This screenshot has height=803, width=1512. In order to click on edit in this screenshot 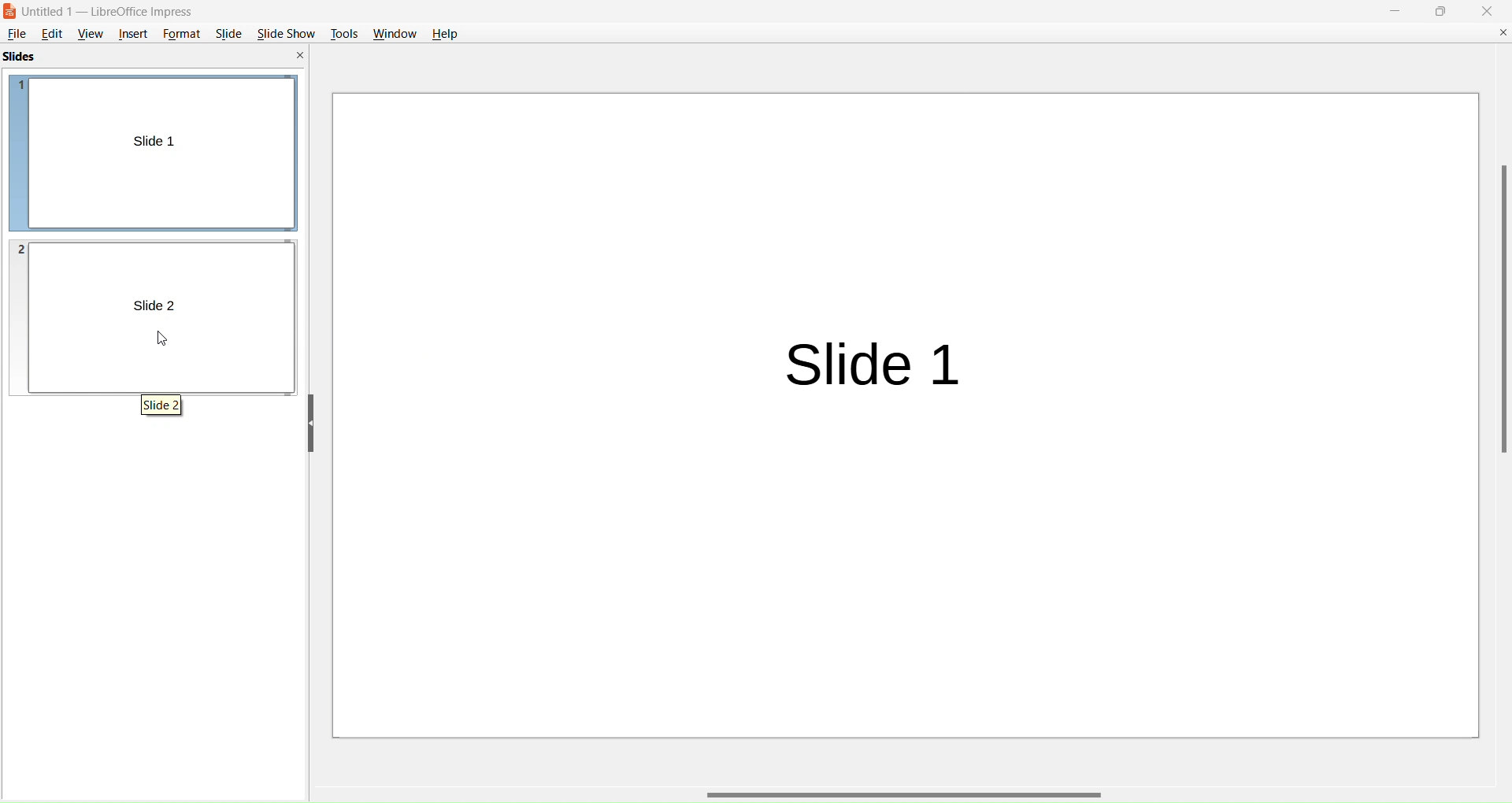, I will do `click(55, 35)`.